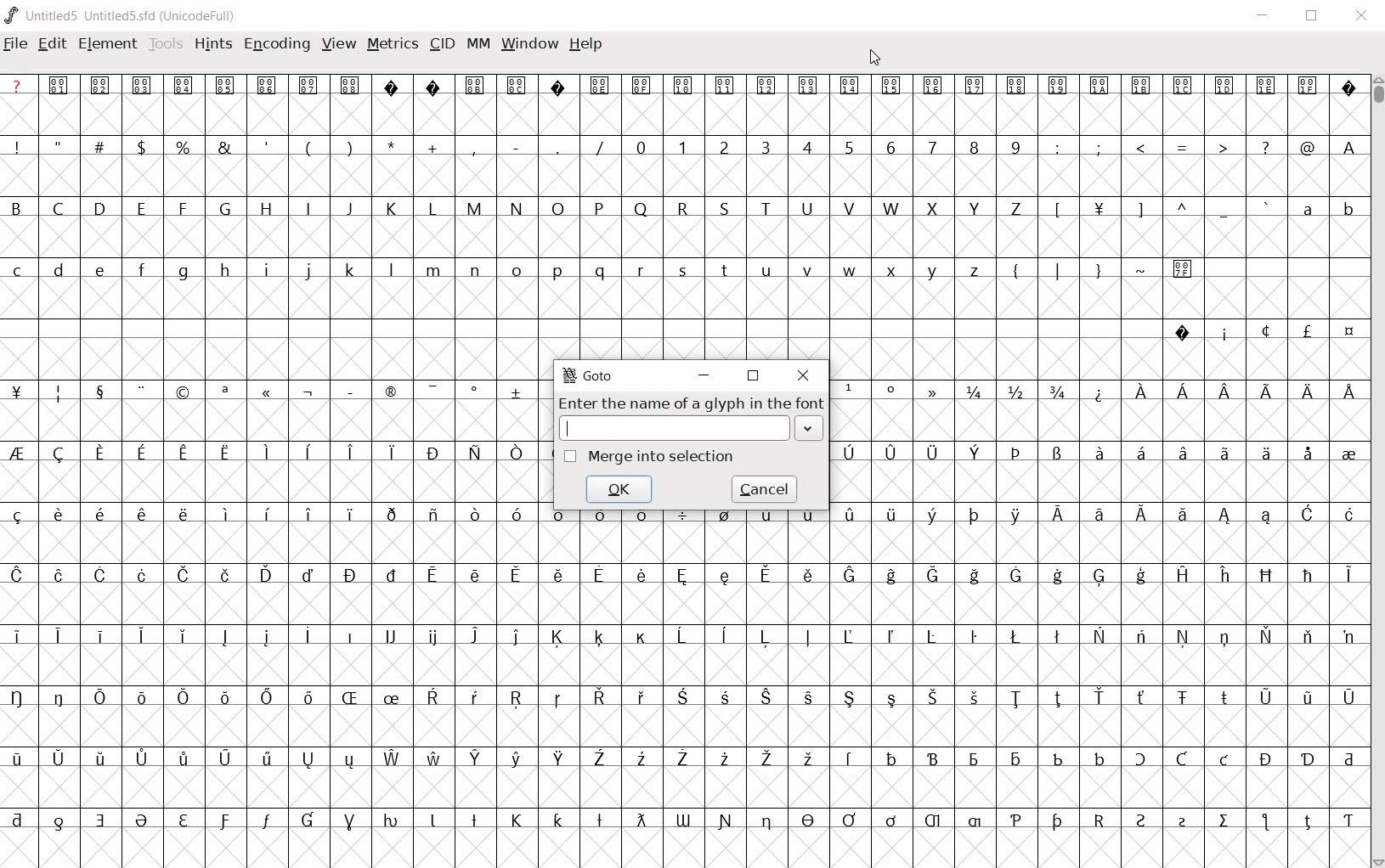 The height and width of the screenshot is (868, 1385). Describe the element at coordinates (1142, 88) in the screenshot. I see `Symbol` at that location.